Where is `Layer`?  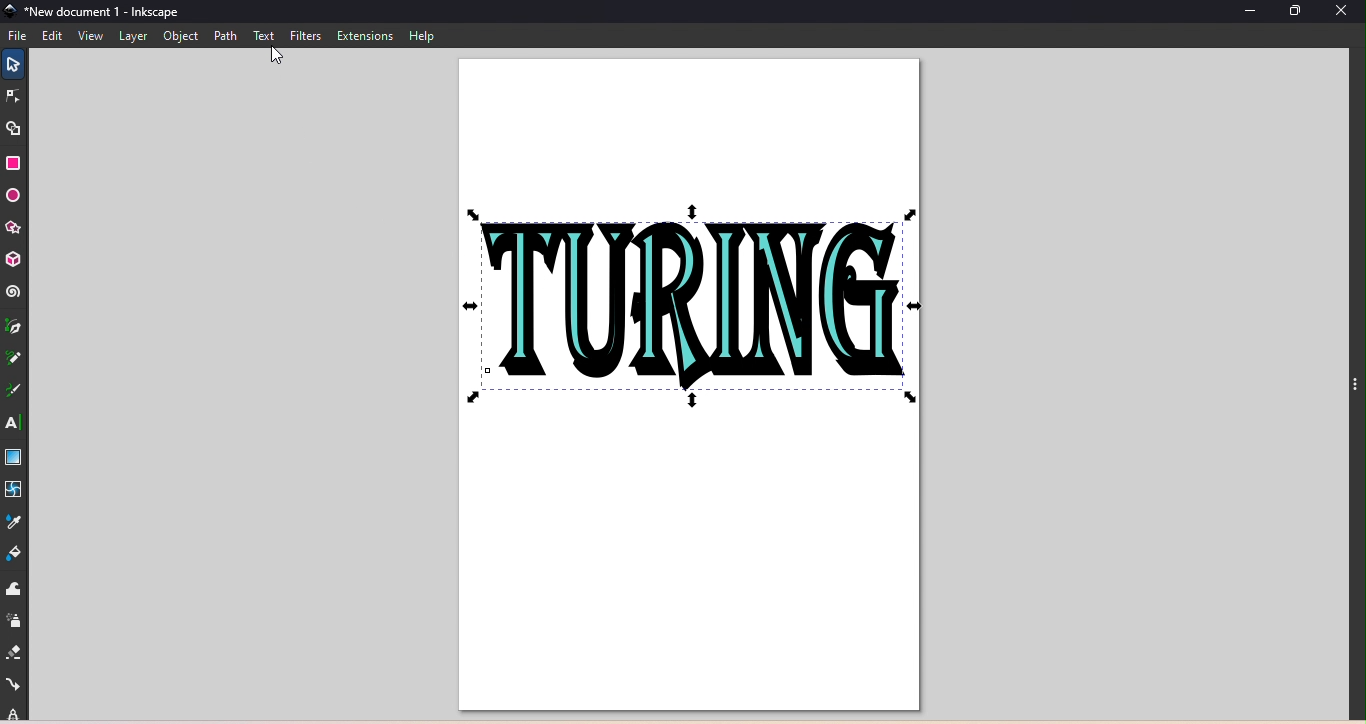
Layer is located at coordinates (135, 38).